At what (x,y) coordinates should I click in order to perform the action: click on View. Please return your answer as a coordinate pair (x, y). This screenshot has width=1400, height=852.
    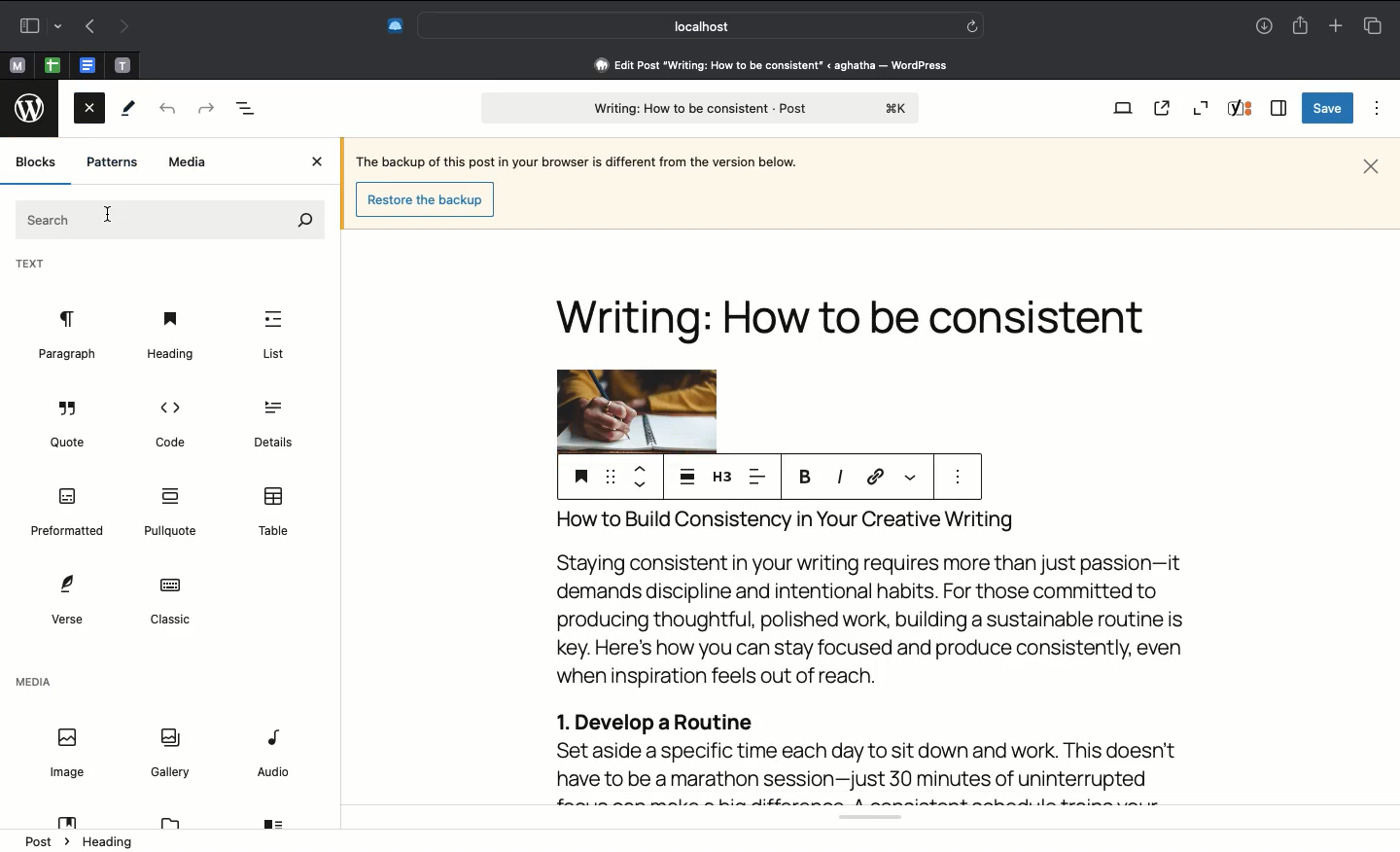
    Looking at the image, I should click on (1119, 110).